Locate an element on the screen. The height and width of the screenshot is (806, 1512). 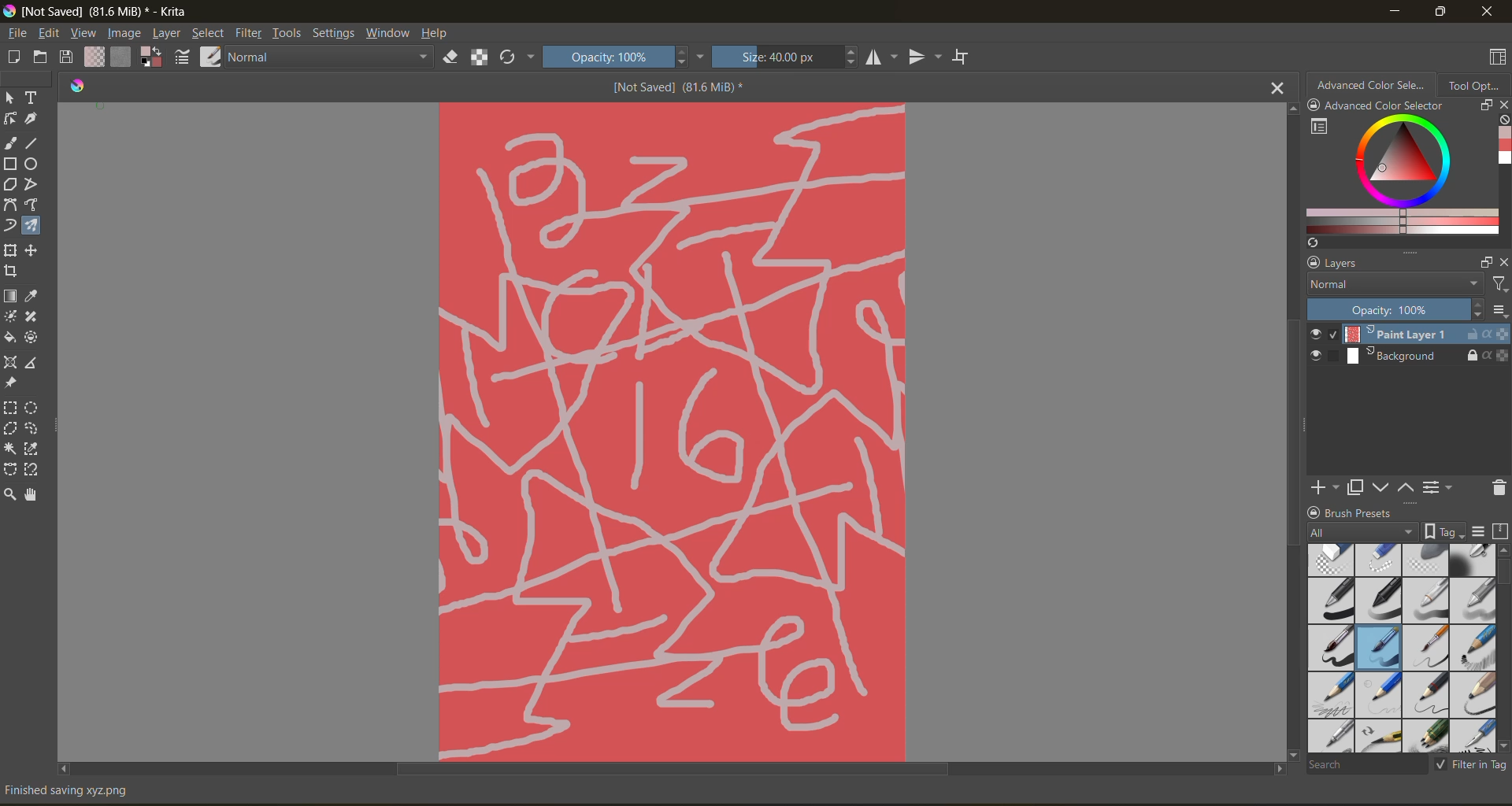
tool is located at coordinates (32, 296).